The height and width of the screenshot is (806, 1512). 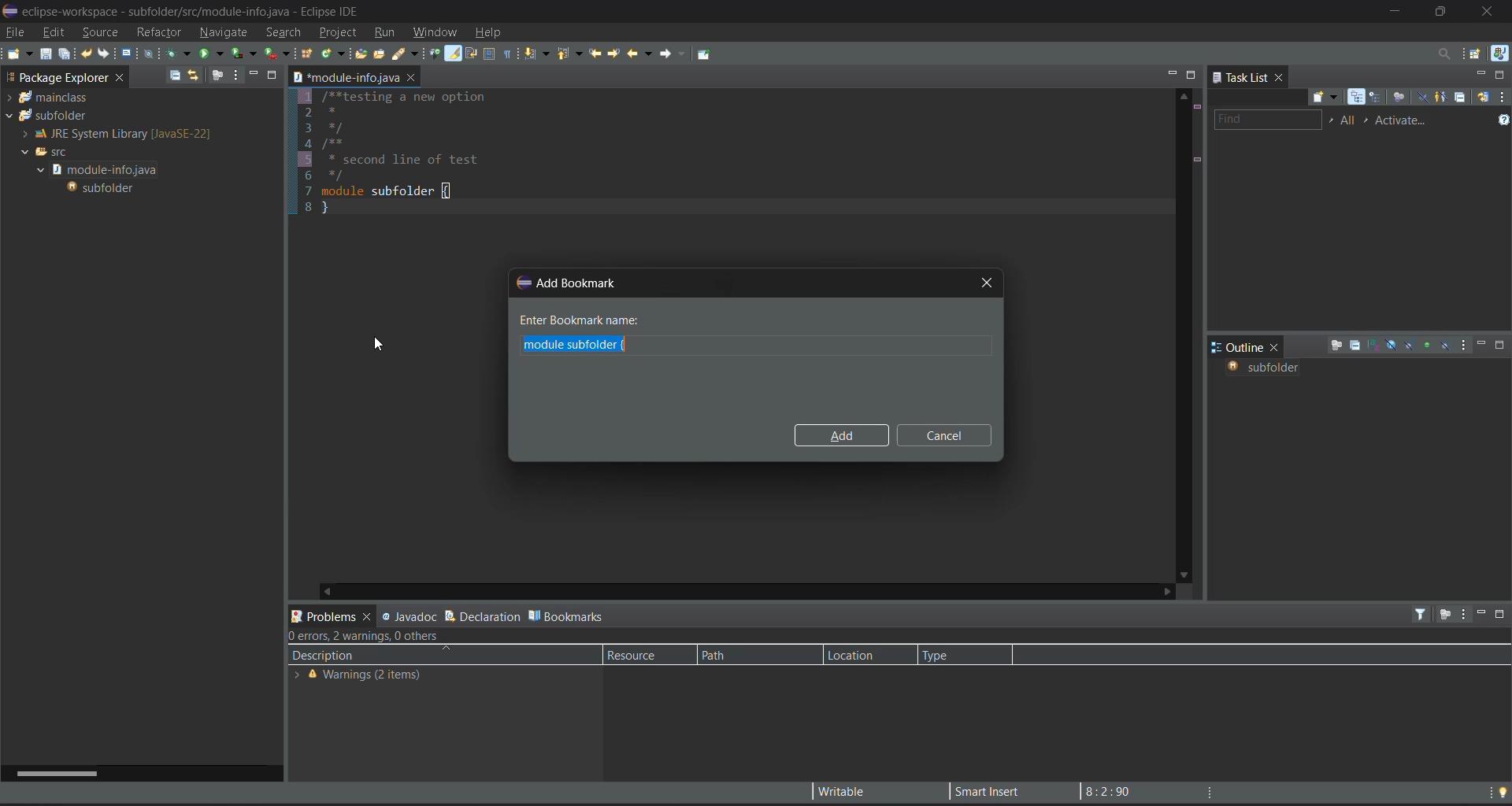 I want to click on minimize, so click(x=1172, y=72).